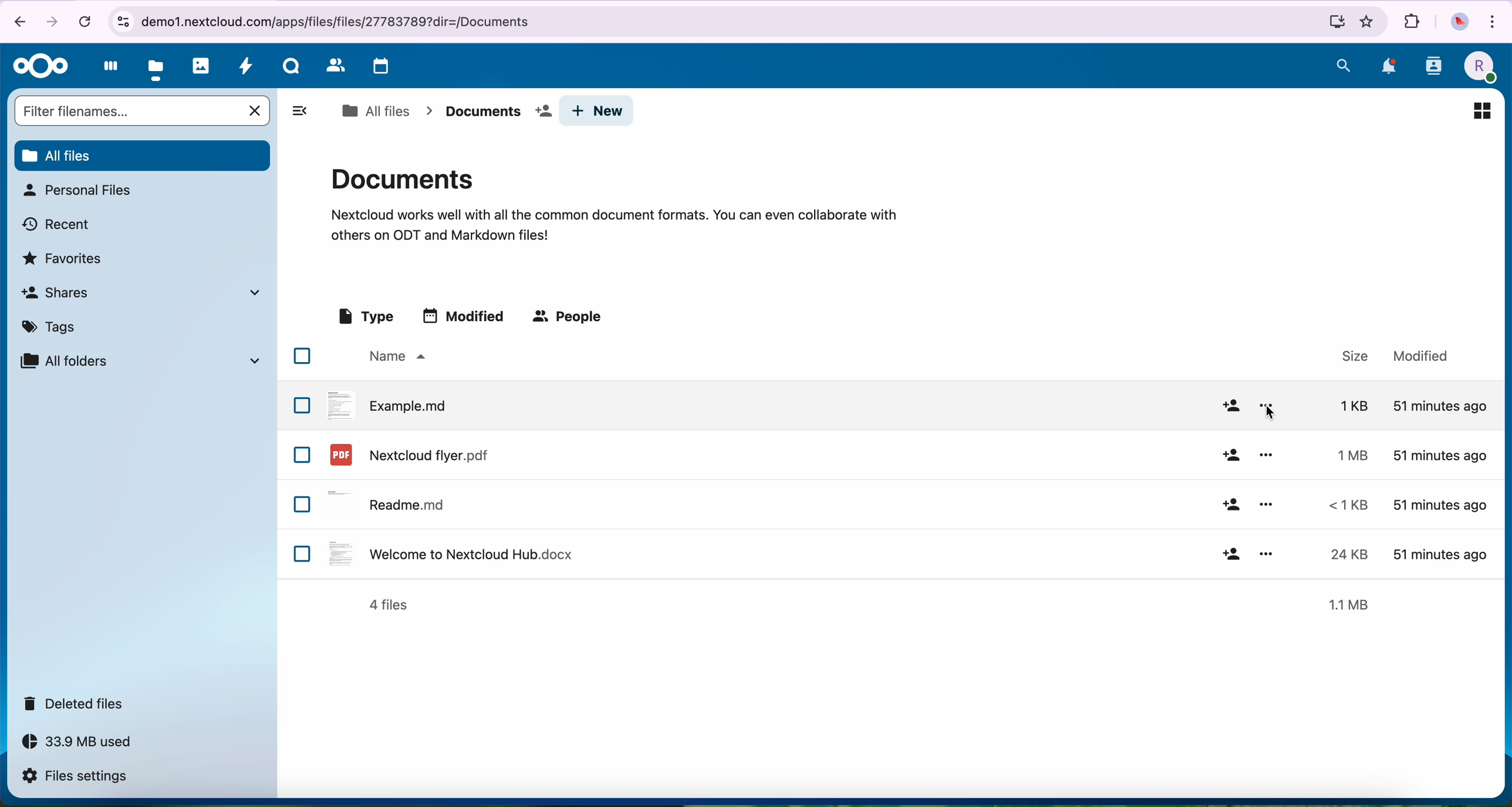 Image resolution: width=1512 pixels, height=807 pixels. Describe the element at coordinates (127, 110) in the screenshot. I see `search bar` at that location.